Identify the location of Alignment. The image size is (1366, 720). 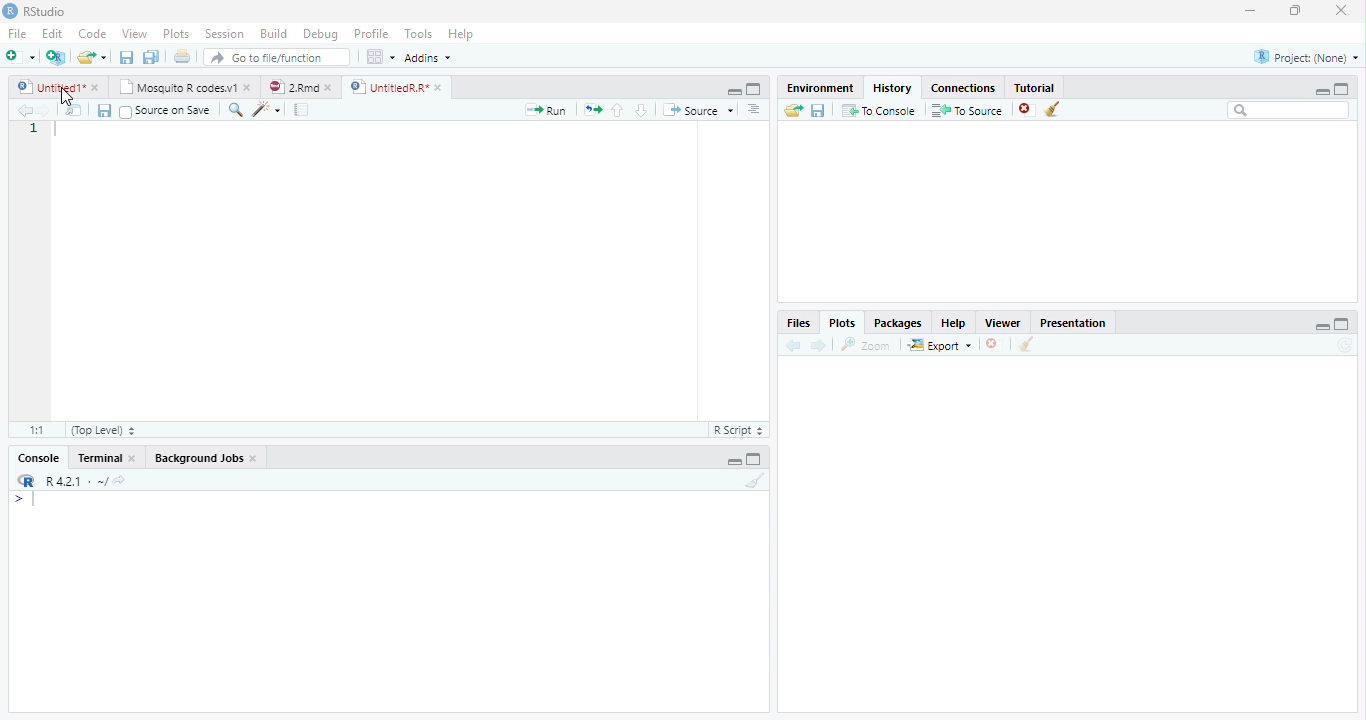
(754, 110).